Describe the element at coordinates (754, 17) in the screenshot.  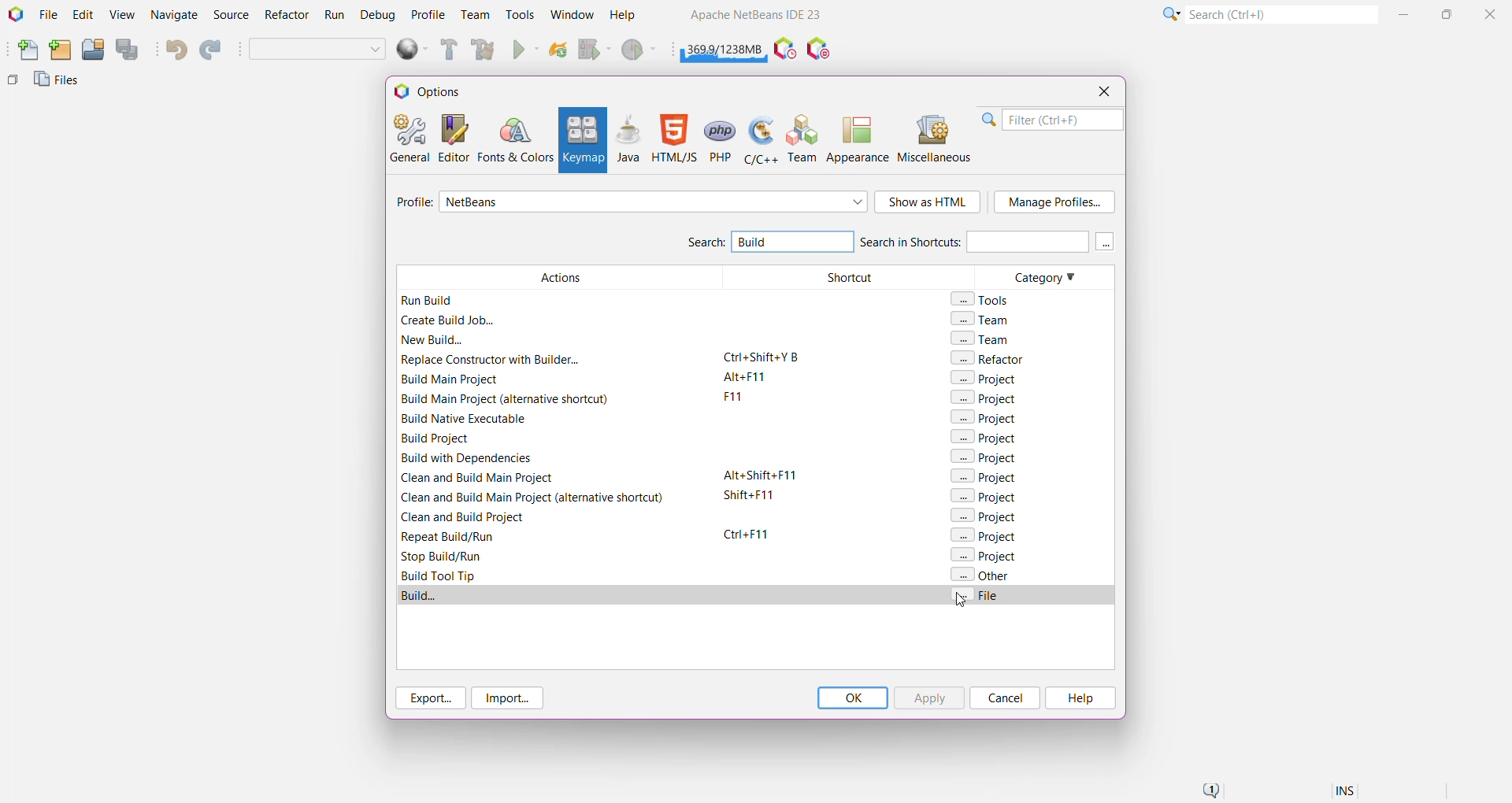
I see `Application name and Version` at that location.